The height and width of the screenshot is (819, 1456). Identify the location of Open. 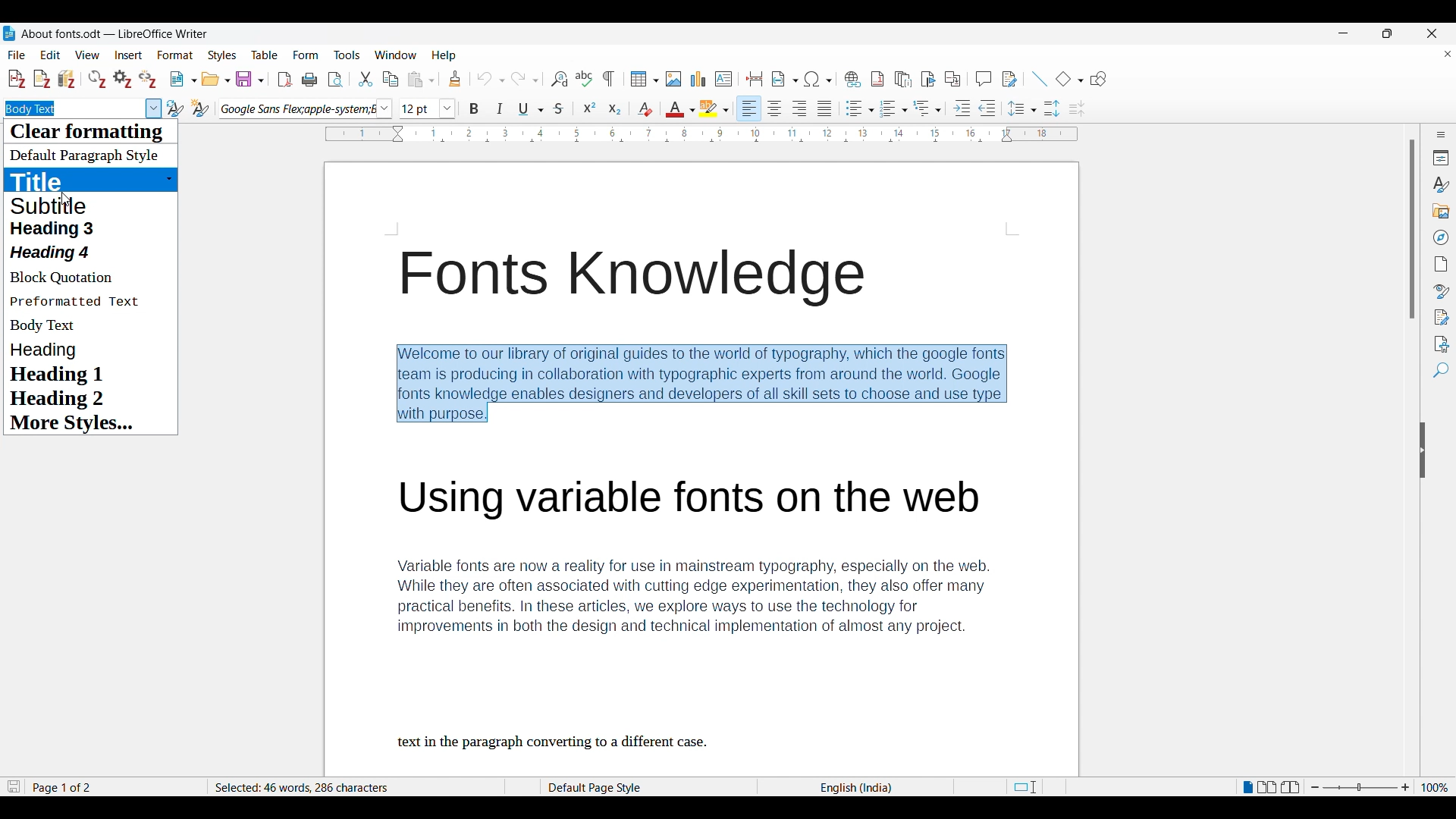
(216, 79).